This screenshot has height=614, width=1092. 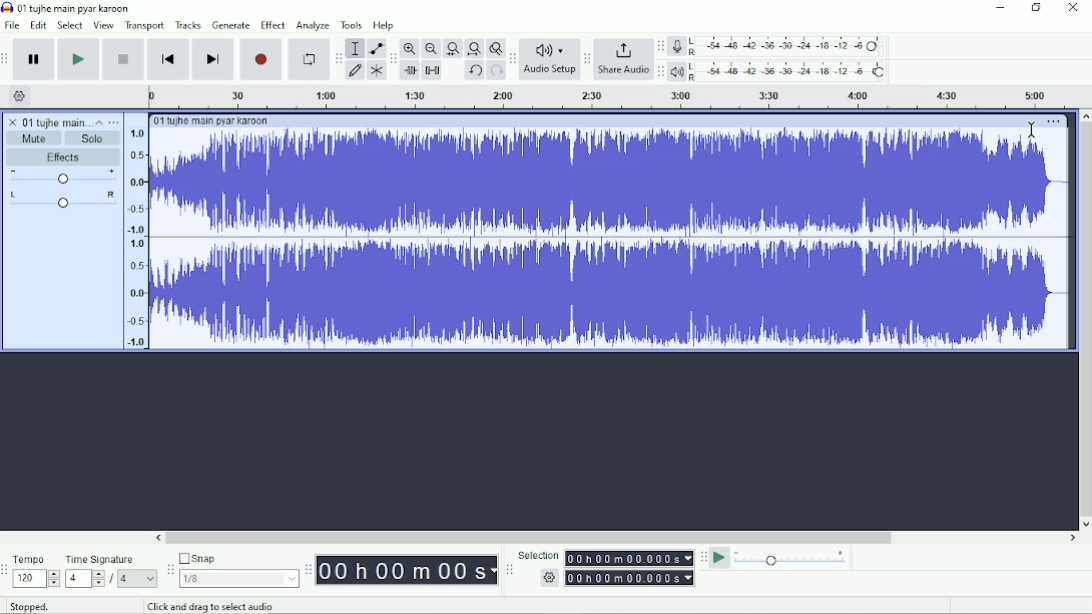 I want to click on Restore down, so click(x=1038, y=7).